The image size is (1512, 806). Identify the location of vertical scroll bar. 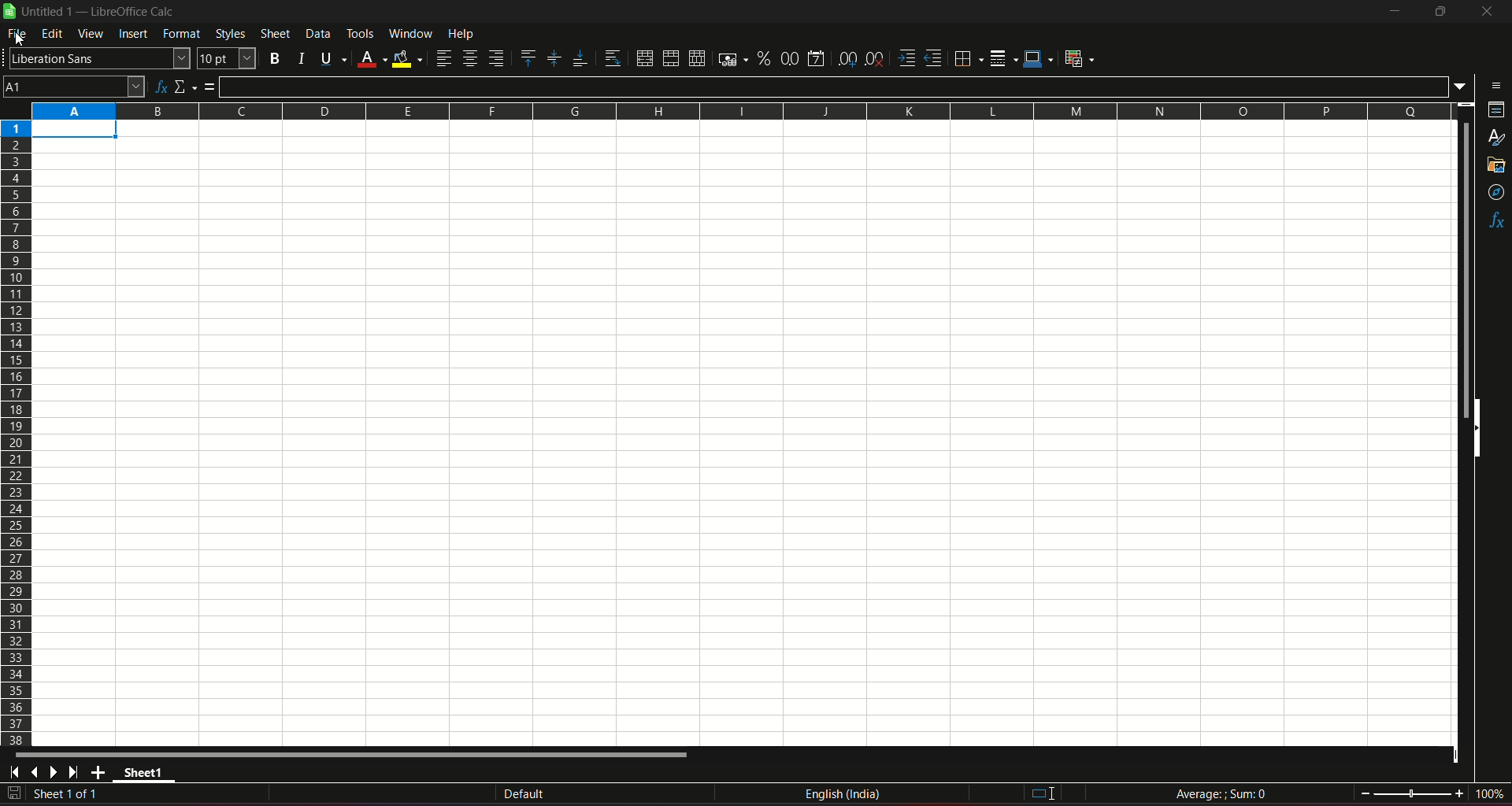
(1464, 270).